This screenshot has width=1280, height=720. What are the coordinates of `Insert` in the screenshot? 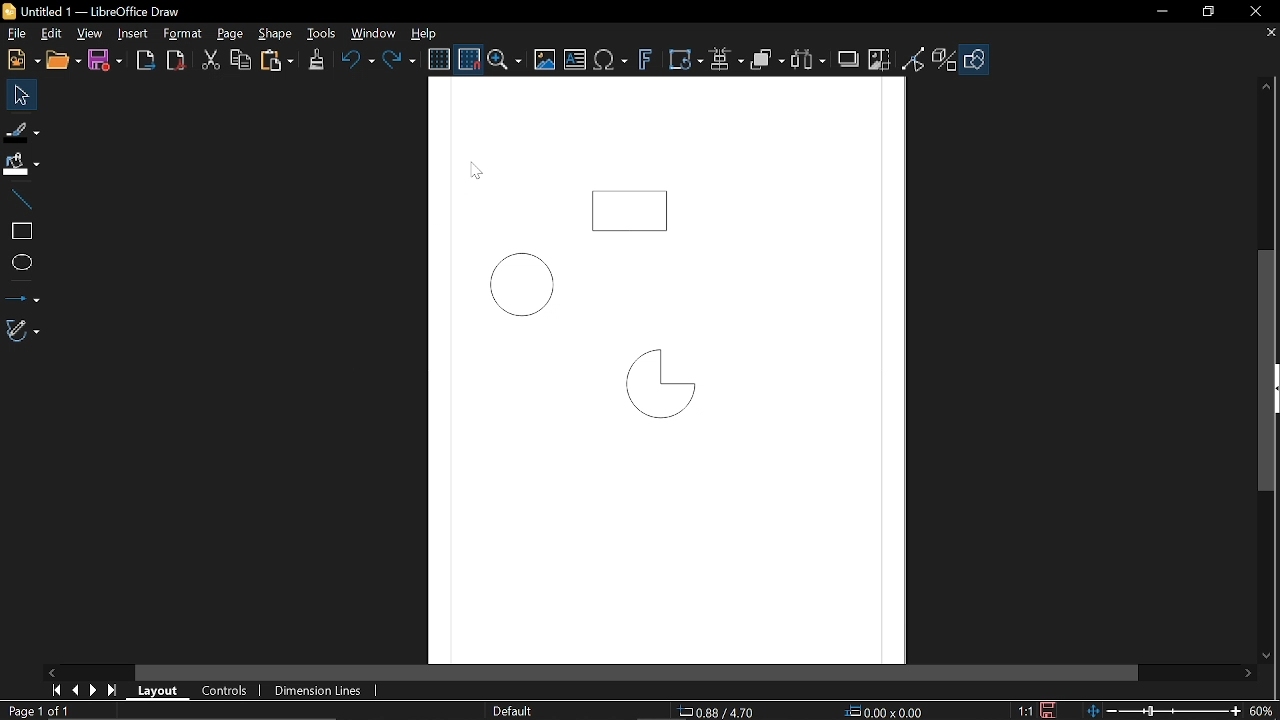 It's located at (131, 35).